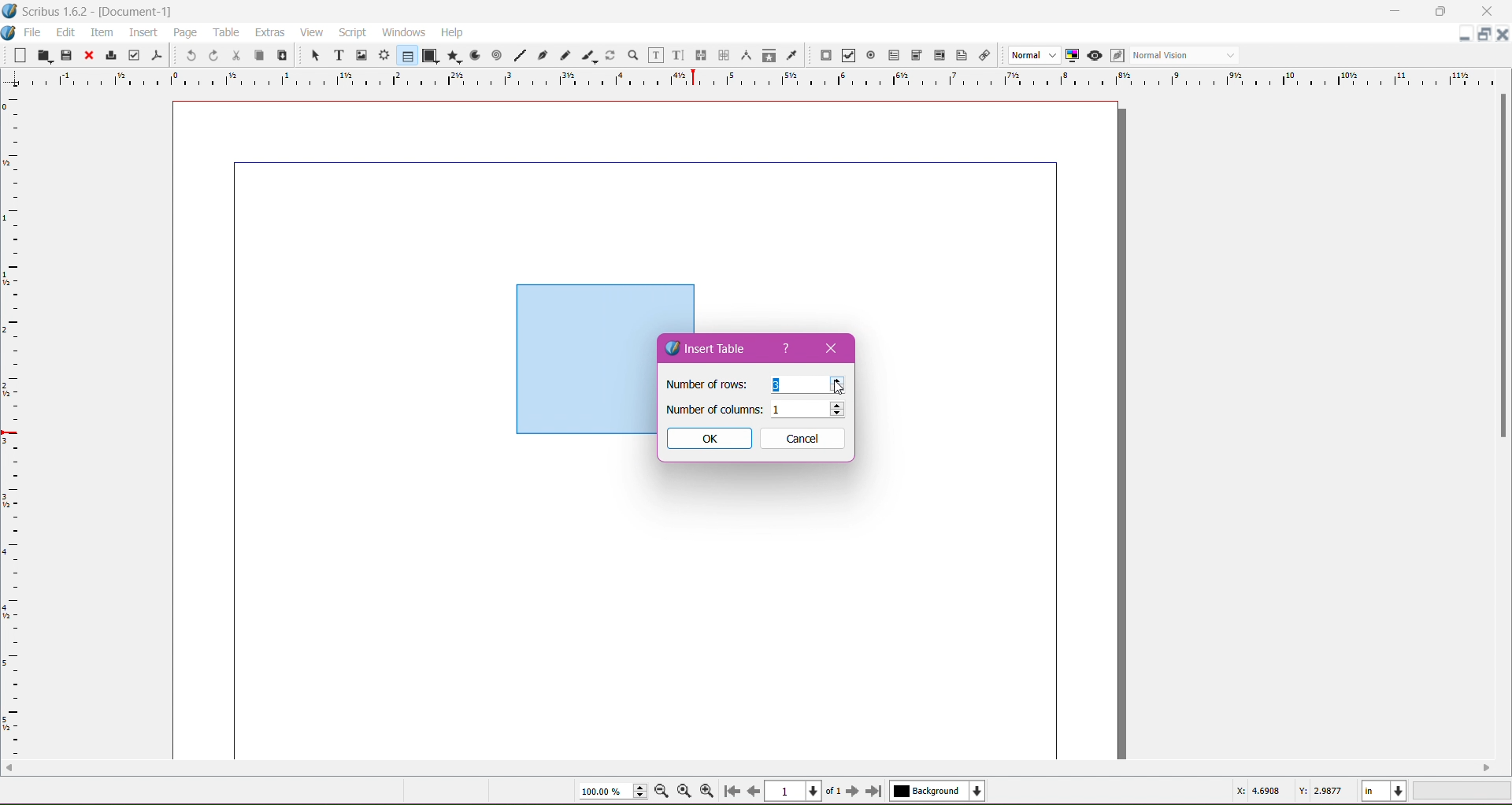 The height and width of the screenshot is (805, 1512). Describe the element at coordinates (1488, 12) in the screenshot. I see `Close` at that location.